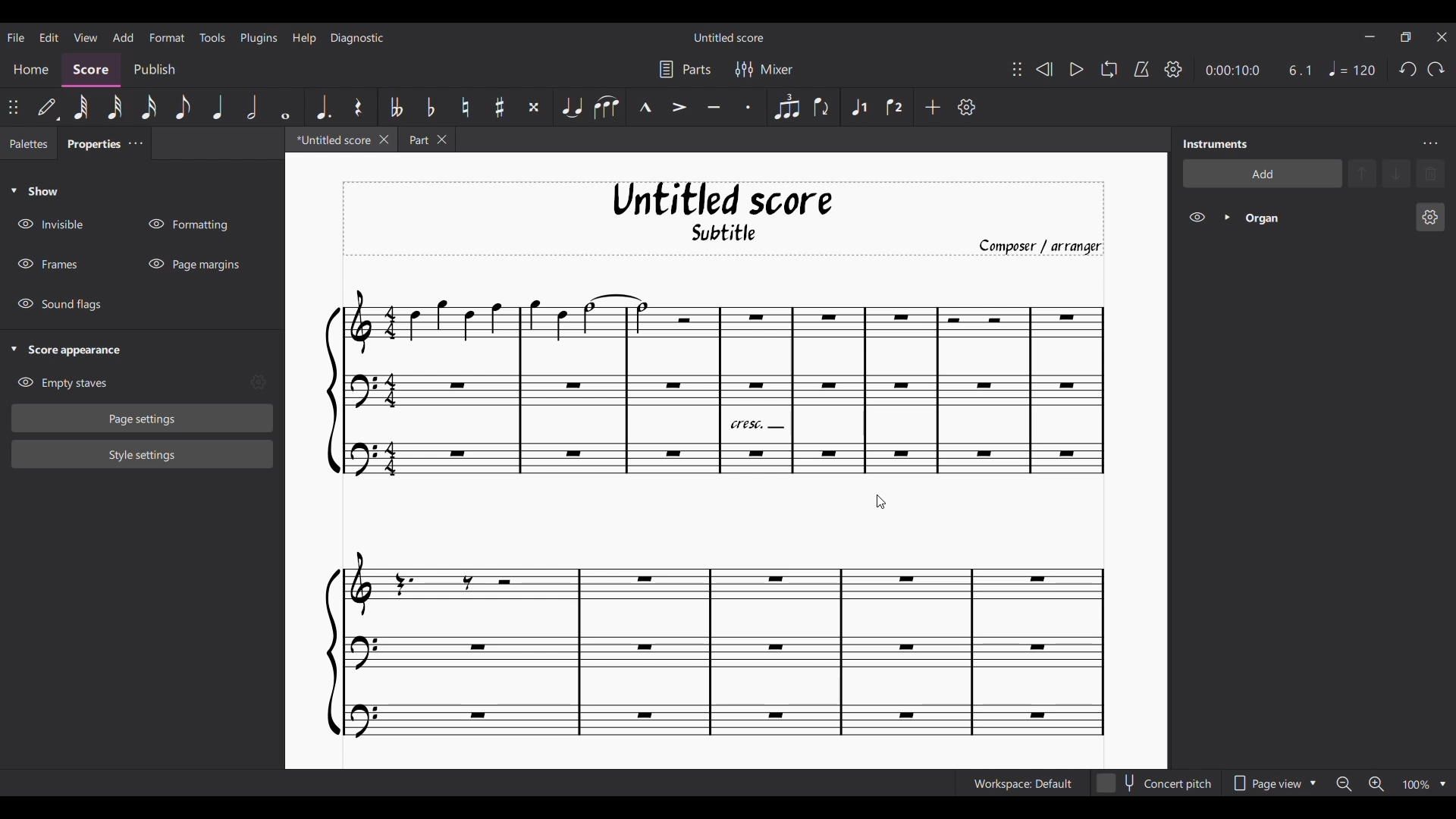 This screenshot has height=819, width=1456. I want to click on Close/Undock Properties tab, so click(135, 143).